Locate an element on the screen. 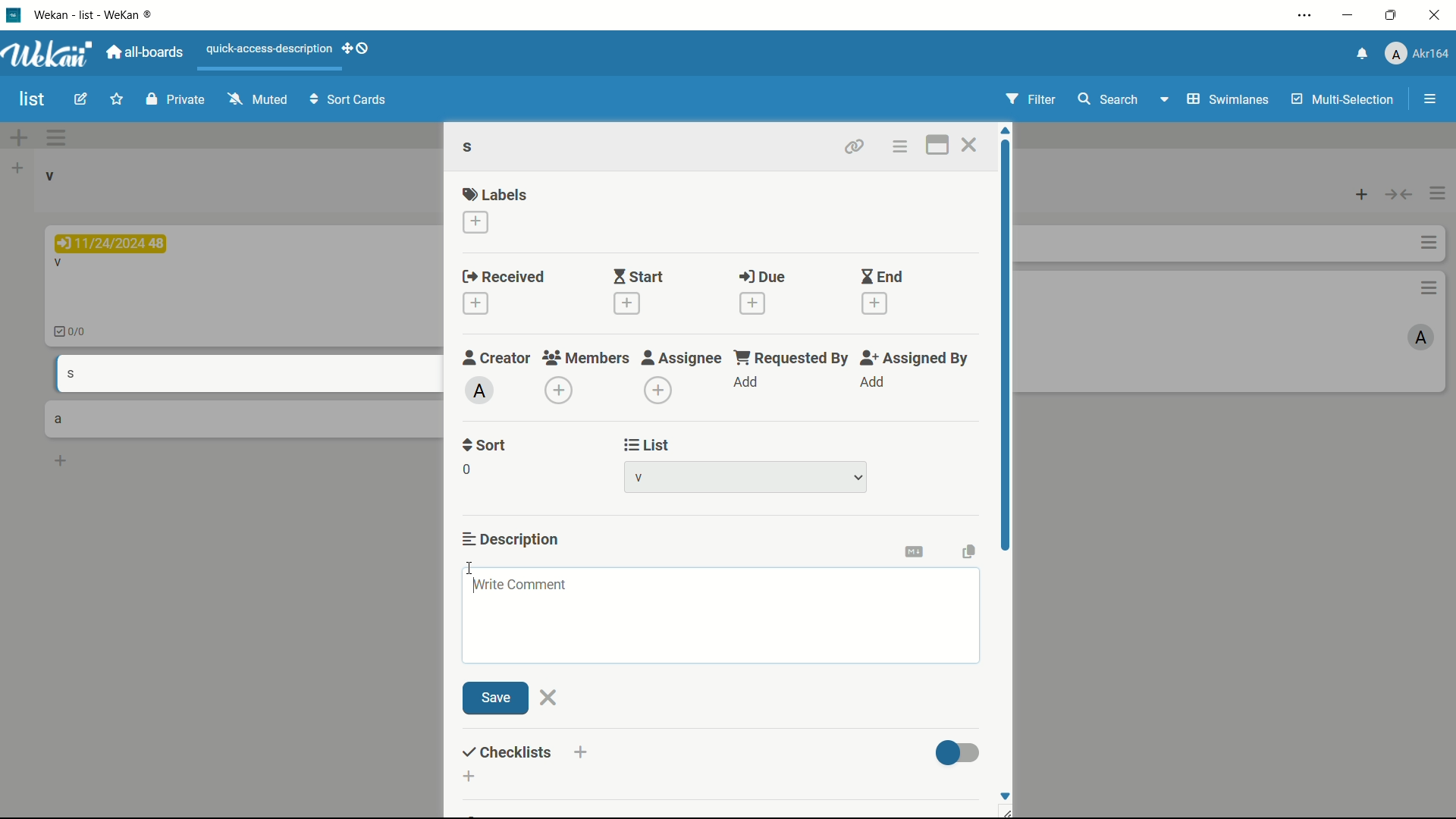 This screenshot has height=819, width=1456. add due date is located at coordinates (753, 303).